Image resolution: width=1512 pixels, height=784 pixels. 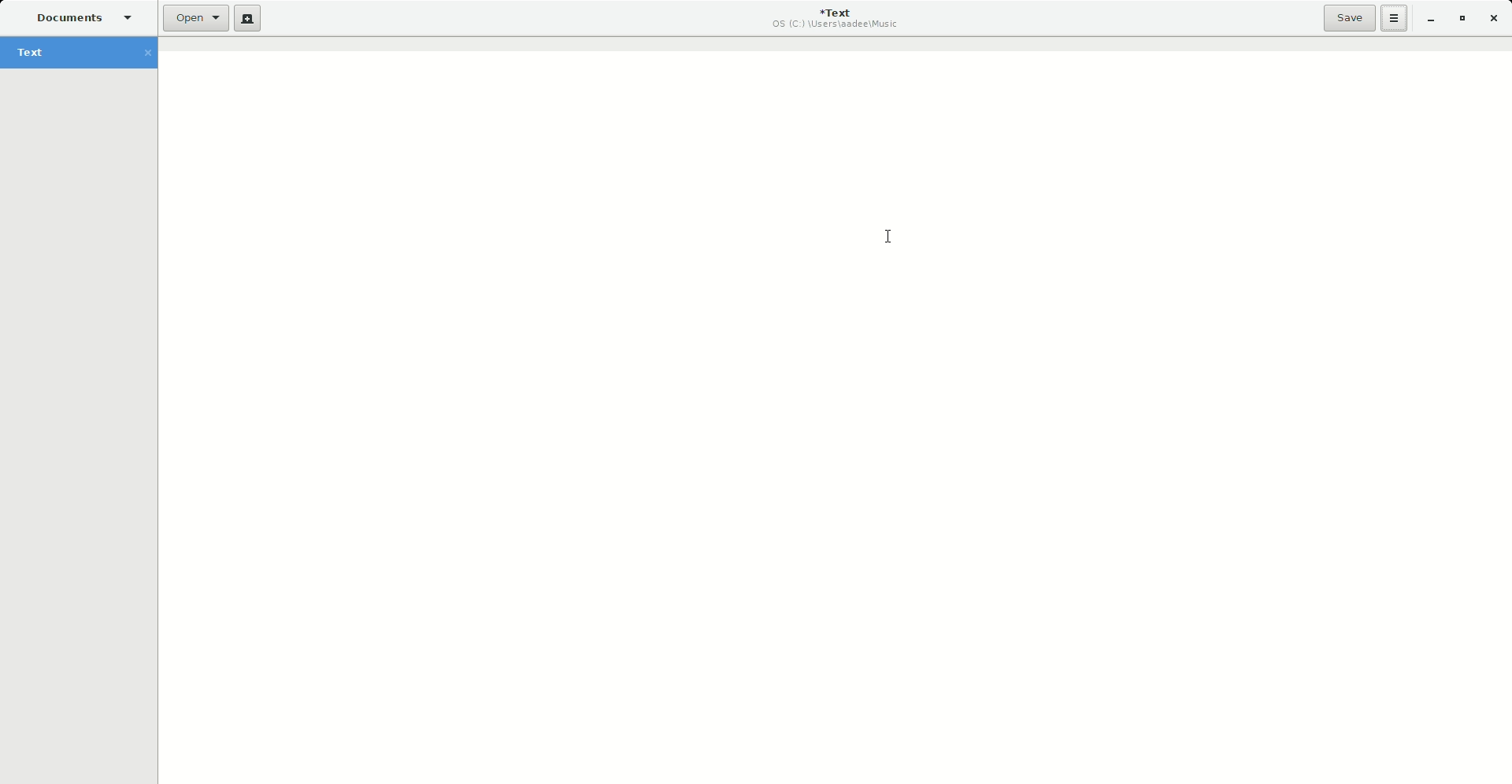 What do you see at coordinates (838, 18) in the screenshot?
I see `Text` at bounding box center [838, 18].